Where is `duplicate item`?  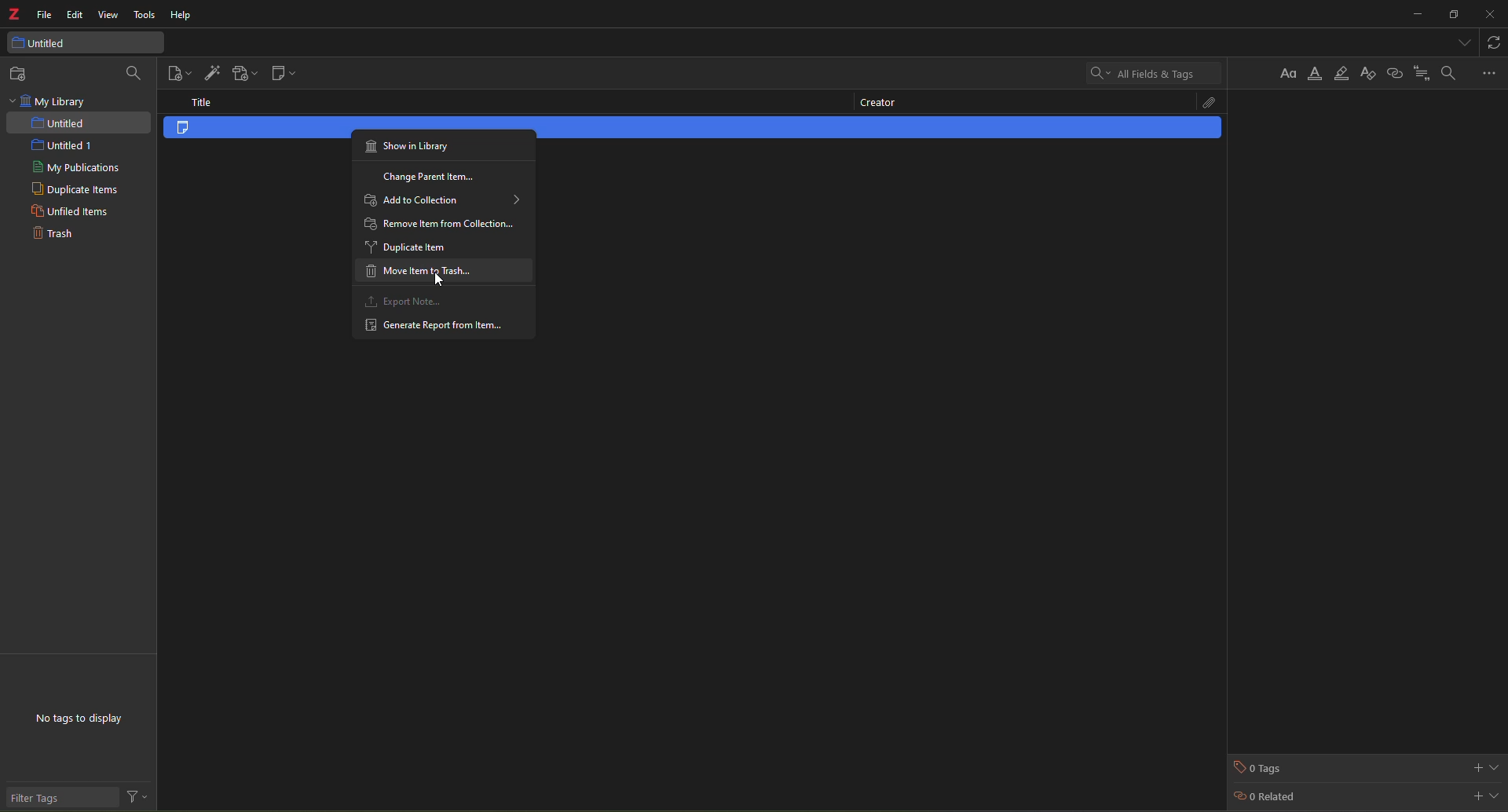 duplicate item is located at coordinates (412, 250).